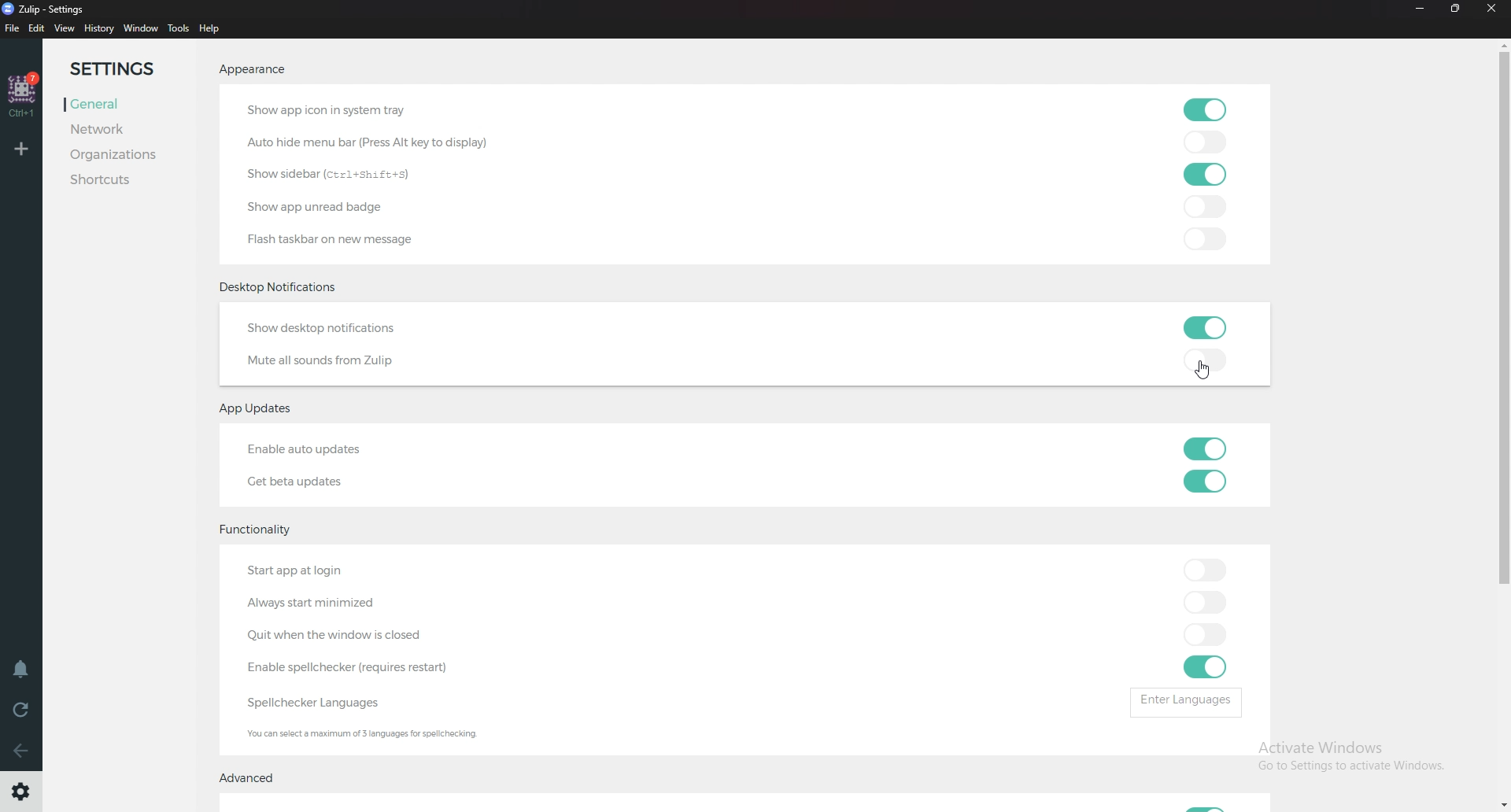 This screenshot has height=812, width=1511. What do you see at coordinates (338, 172) in the screenshot?
I see `Show sidebar` at bounding box center [338, 172].